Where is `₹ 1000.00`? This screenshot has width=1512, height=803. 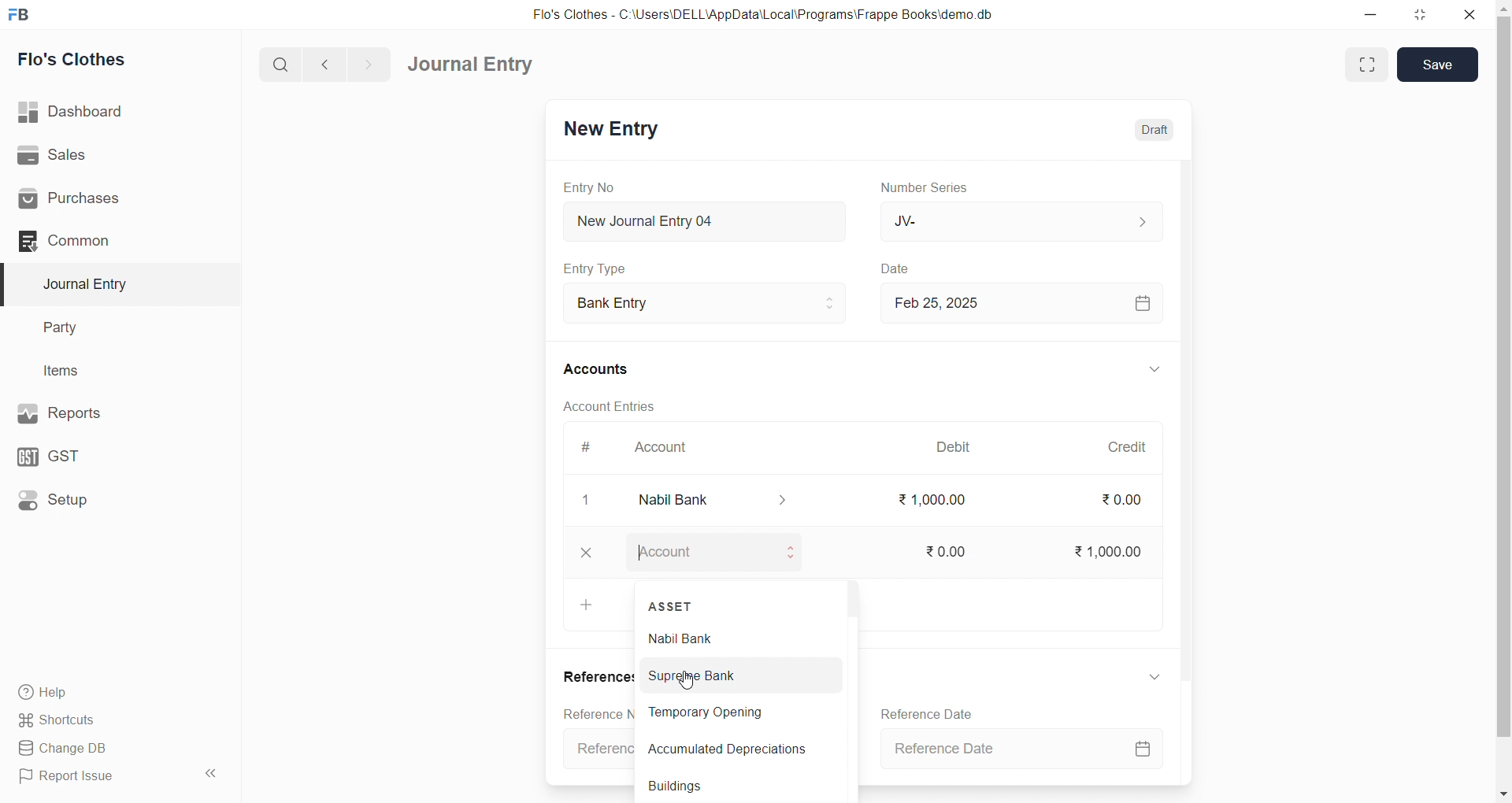 ₹ 1000.00 is located at coordinates (936, 499).